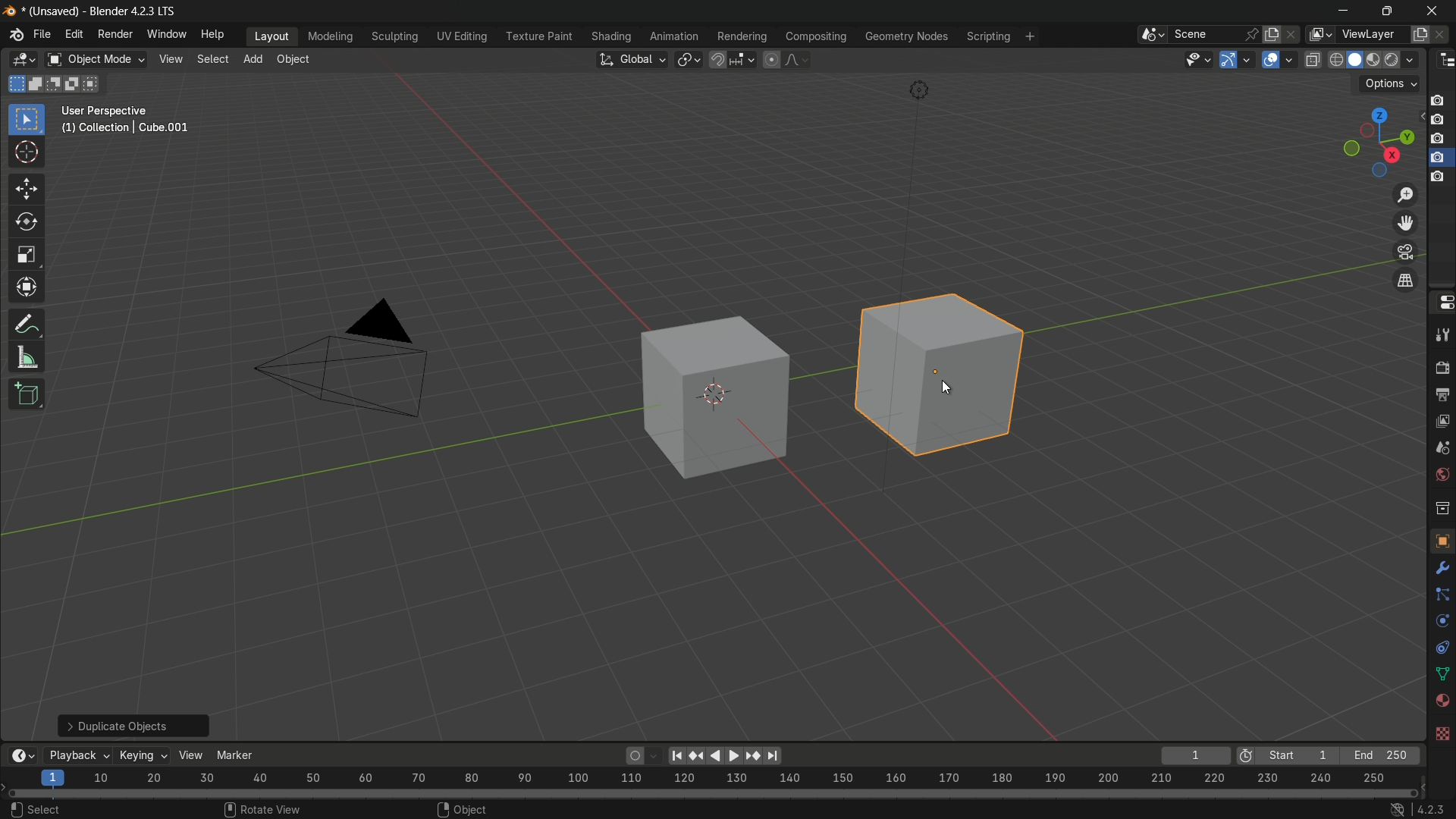 This screenshot has width=1456, height=819. I want to click on modeling menu, so click(330, 35).